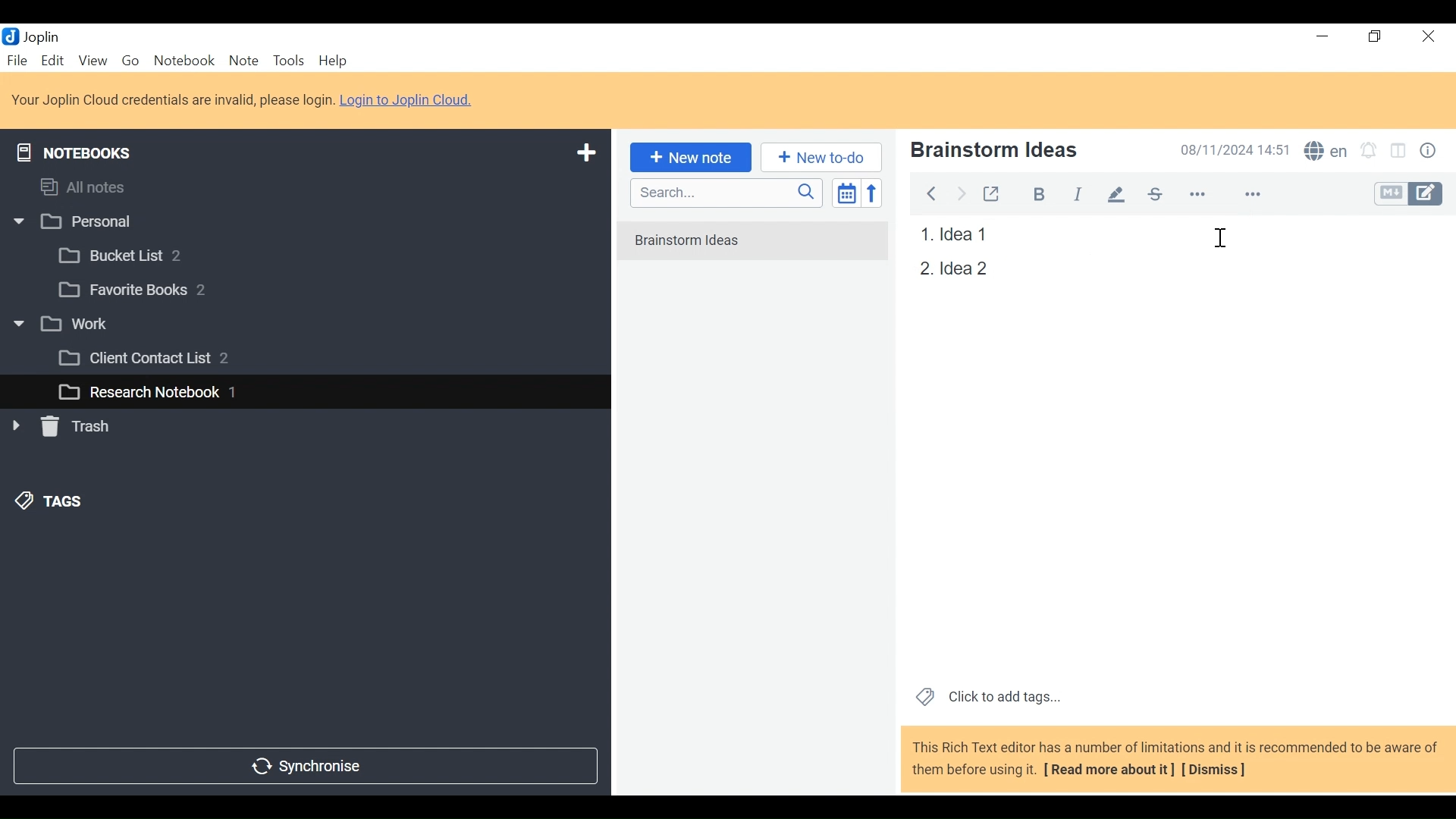 The width and height of the screenshot is (1456, 819). What do you see at coordinates (186, 60) in the screenshot?
I see `Notebook` at bounding box center [186, 60].